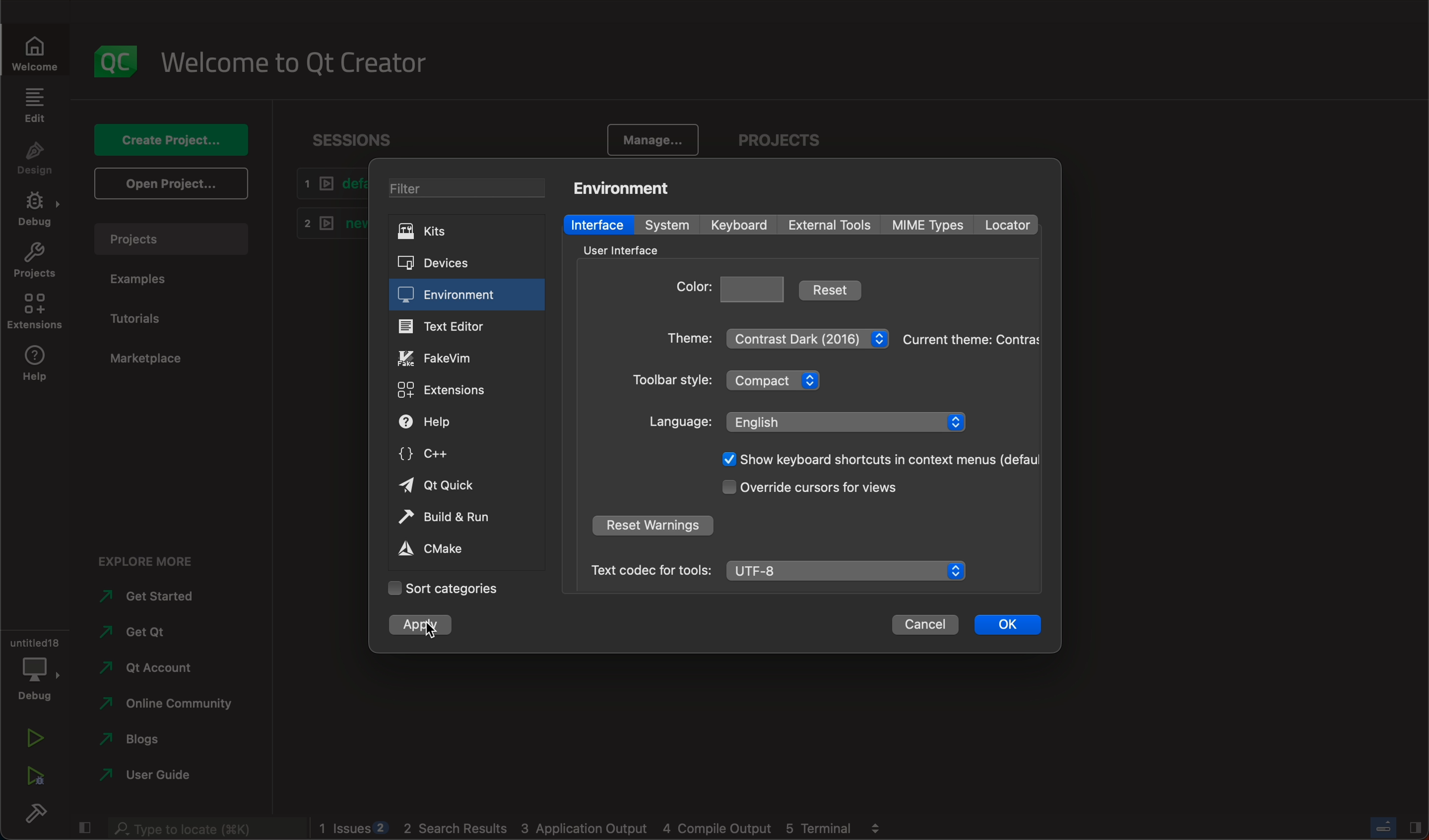 Image resolution: width=1429 pixels, height=840 pixels. I want to click on debug, so click(33, 664).